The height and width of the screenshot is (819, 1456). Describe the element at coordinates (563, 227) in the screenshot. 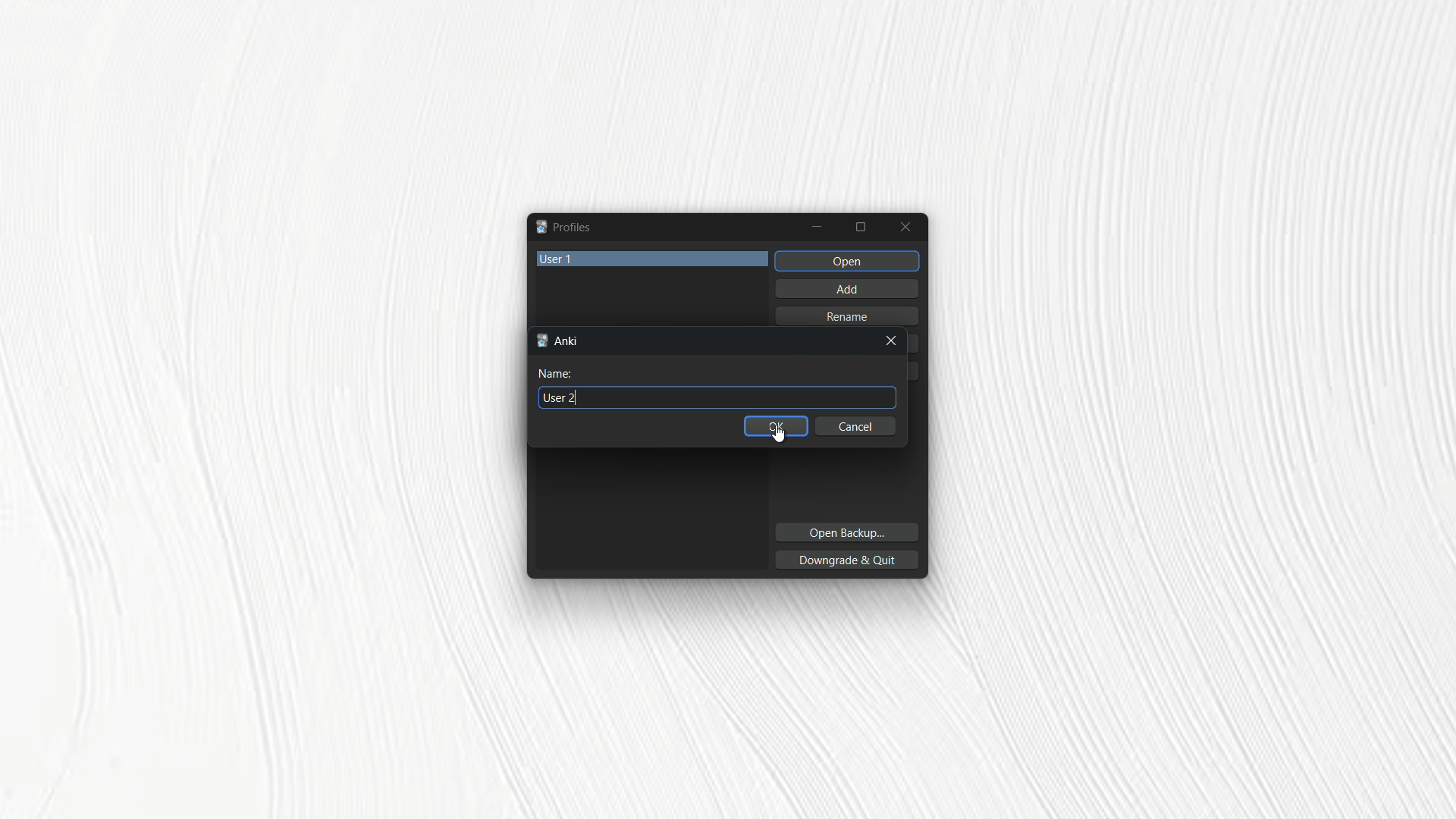

I see `Profile` at that location.